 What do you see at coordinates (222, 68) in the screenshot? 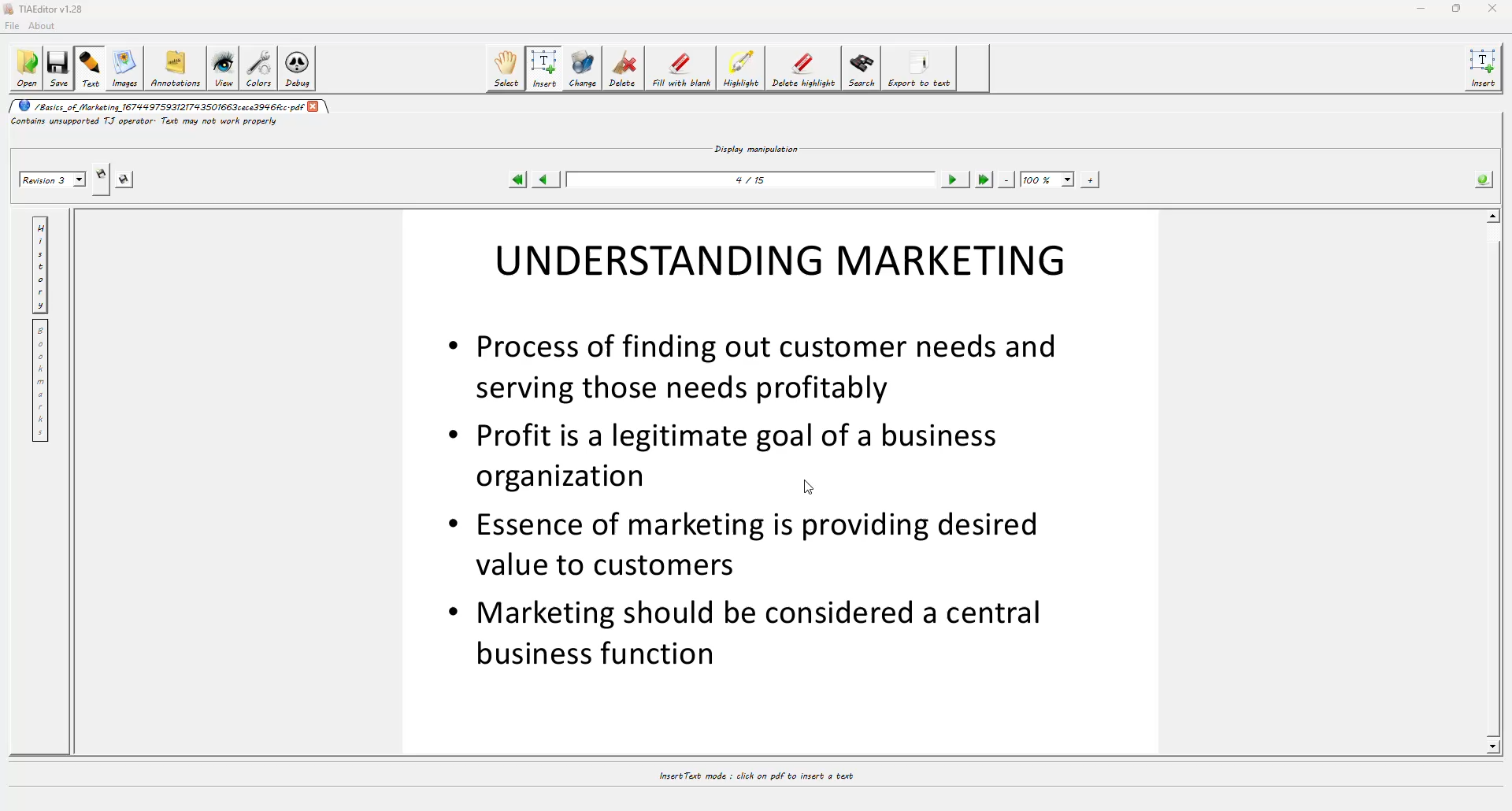
I see `view` at bounding box center [222, 68].